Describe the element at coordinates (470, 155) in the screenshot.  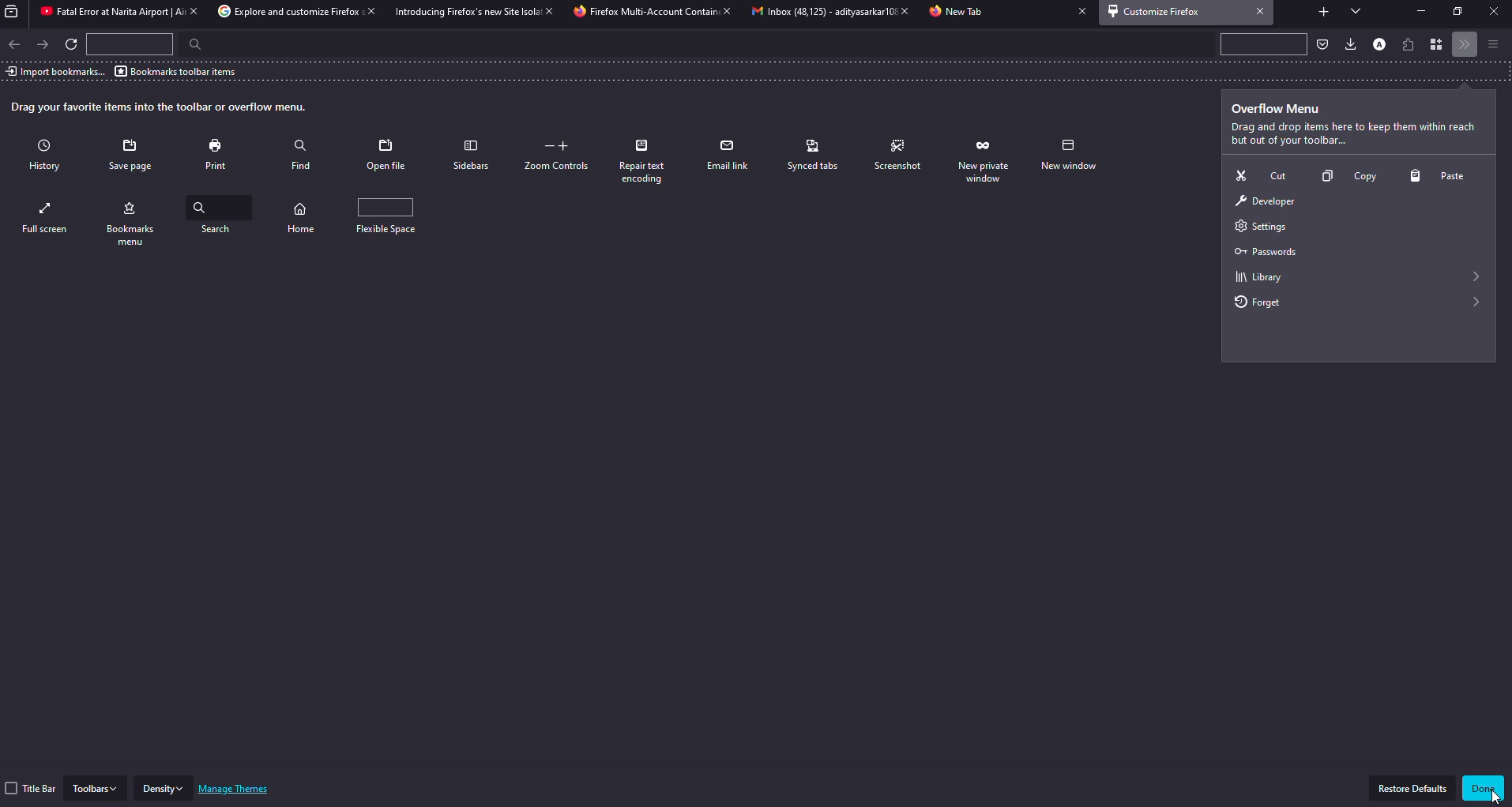
I see `sidebars` at that location.